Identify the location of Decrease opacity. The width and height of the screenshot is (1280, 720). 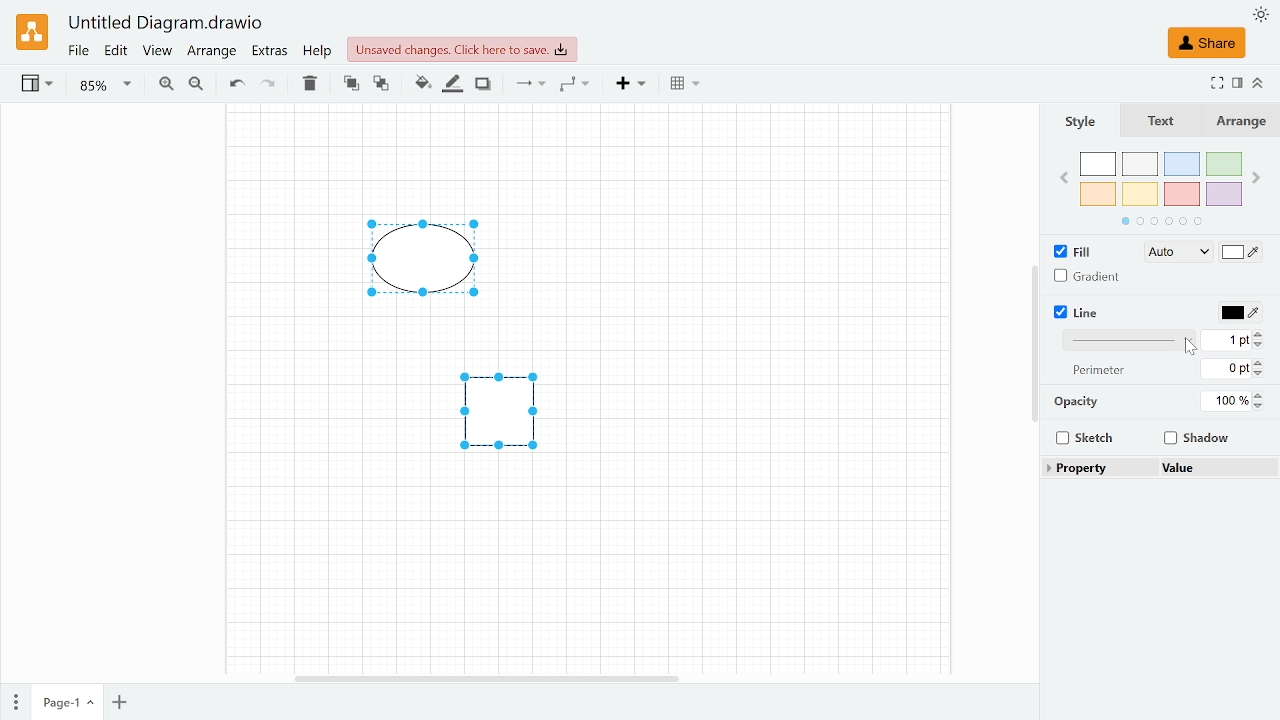
(1262, 406).